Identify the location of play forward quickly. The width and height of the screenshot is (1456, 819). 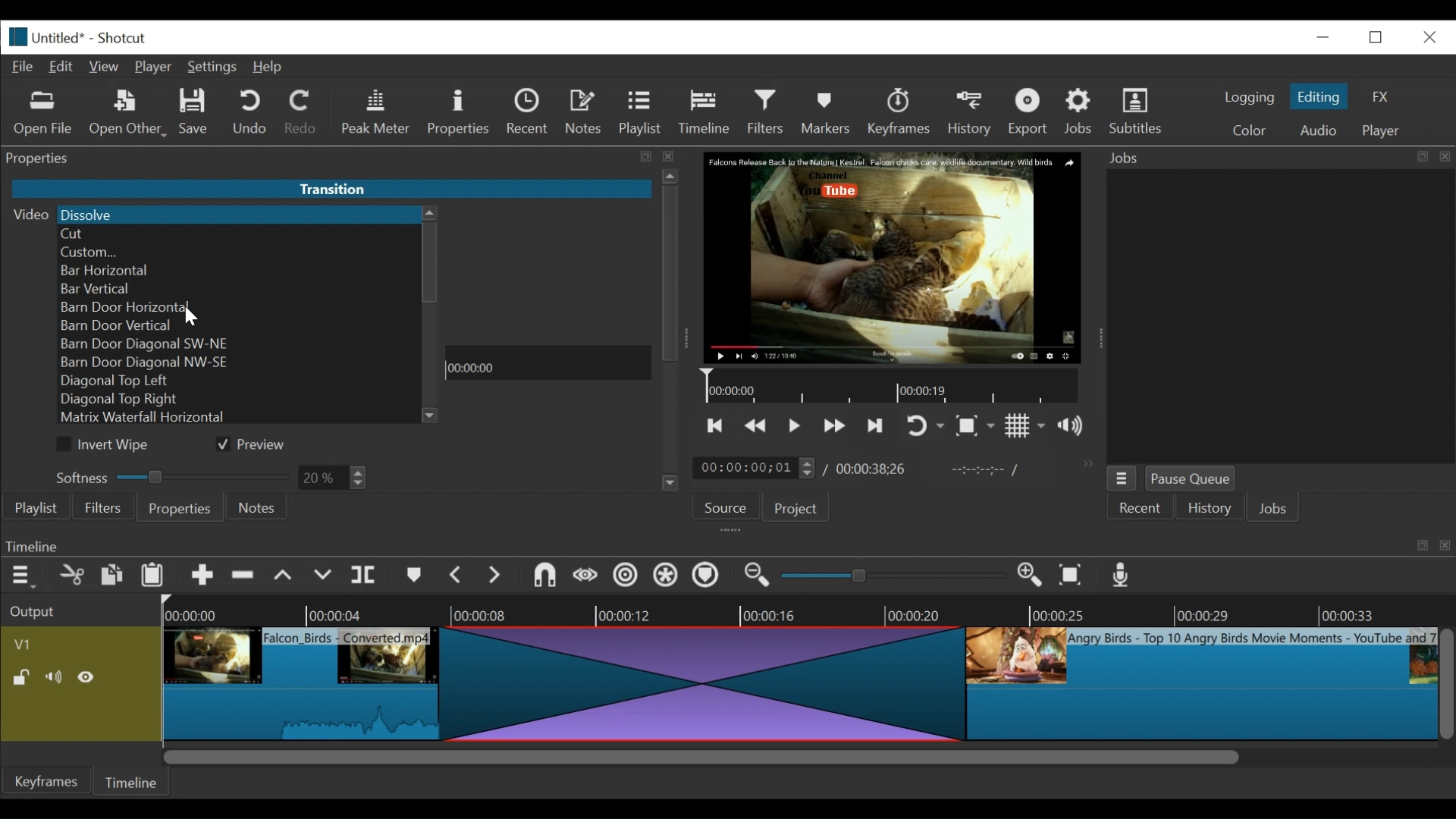
(836, 428).